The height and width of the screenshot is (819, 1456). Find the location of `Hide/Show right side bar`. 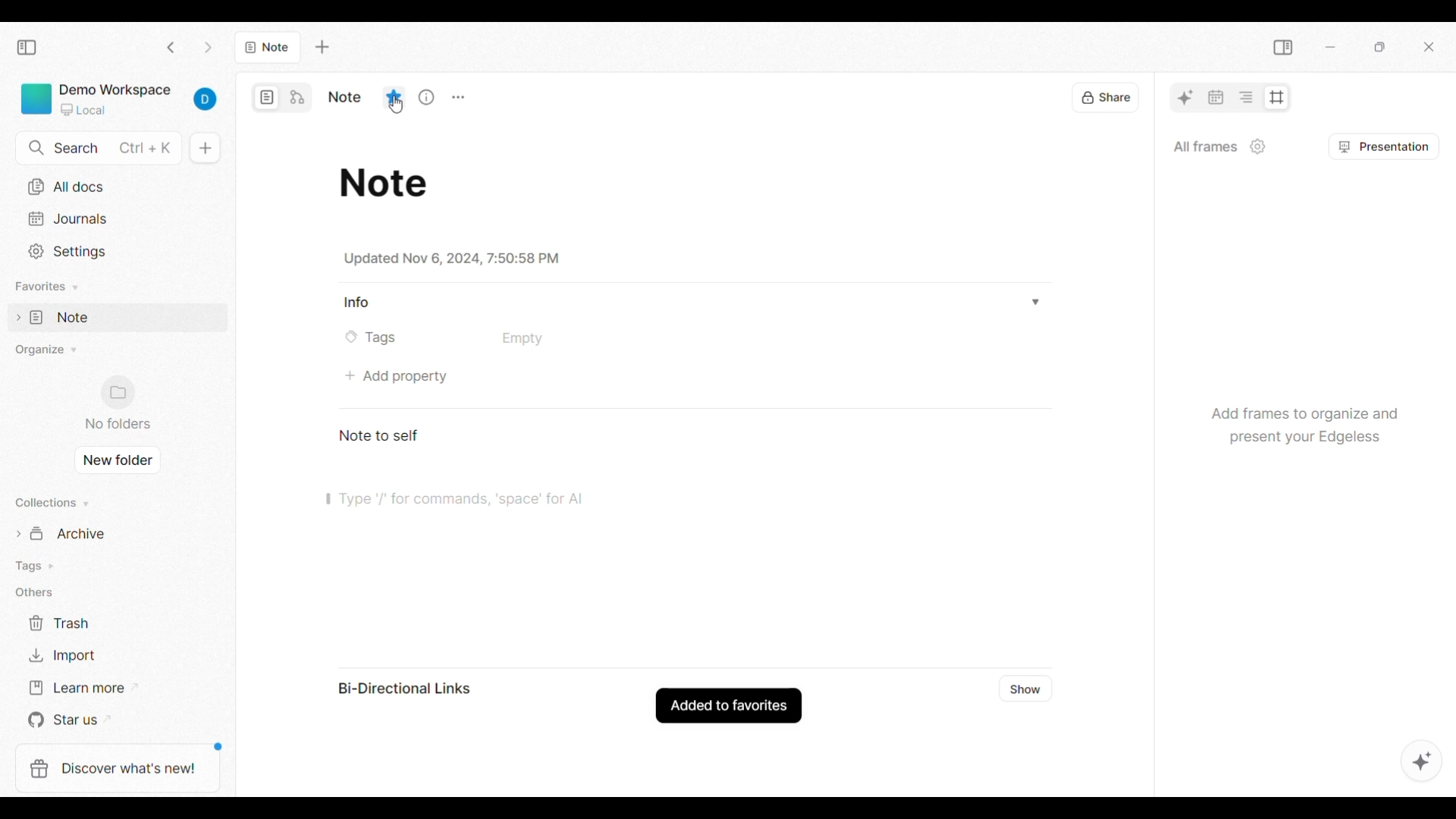

Hide/Show right side bar is located at coordinates (1283, 48).